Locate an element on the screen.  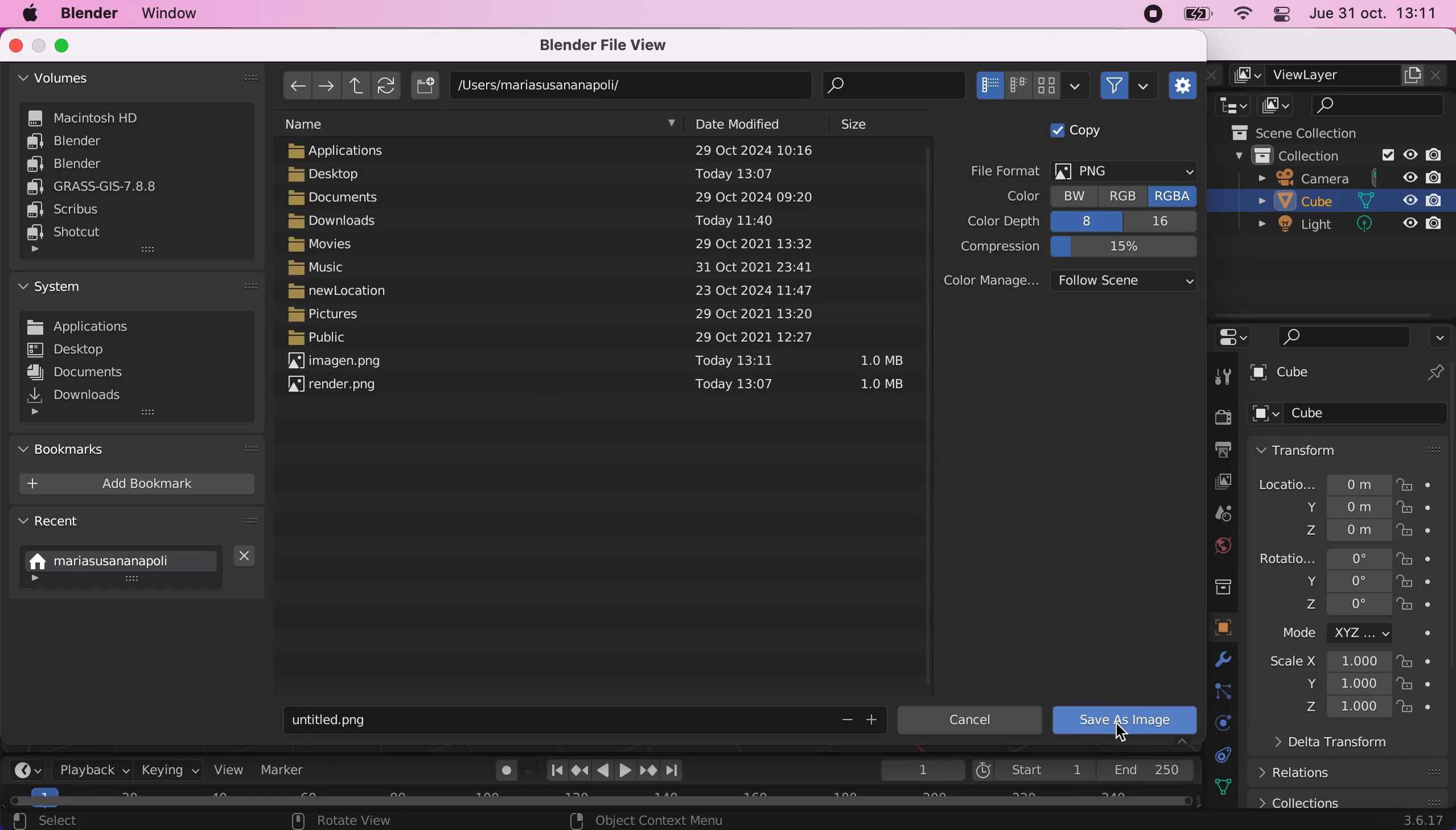
Jump to last is located at coordinates (674, 766).